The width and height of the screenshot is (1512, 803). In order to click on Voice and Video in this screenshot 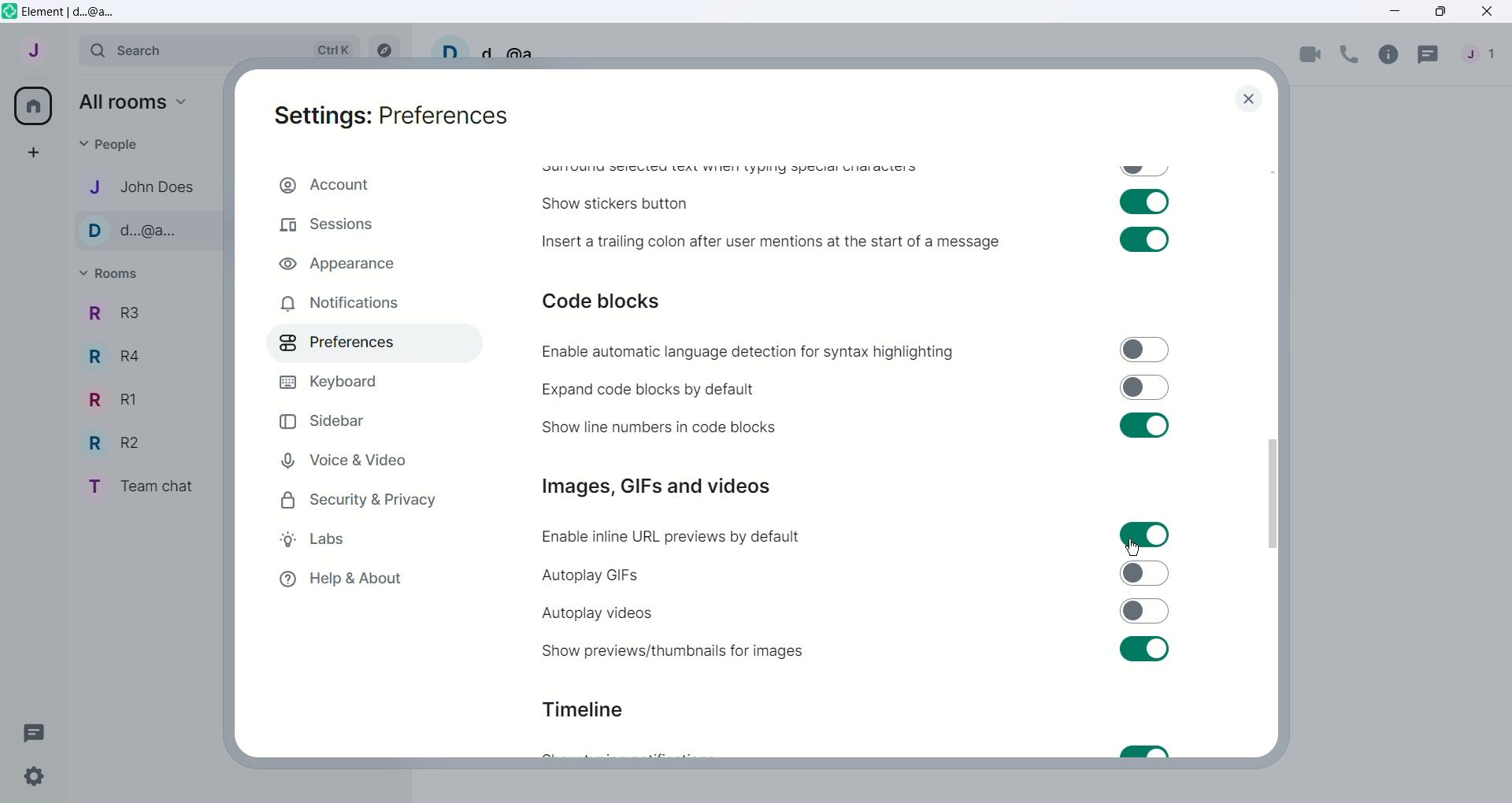, I will do `click(365, 460)`.